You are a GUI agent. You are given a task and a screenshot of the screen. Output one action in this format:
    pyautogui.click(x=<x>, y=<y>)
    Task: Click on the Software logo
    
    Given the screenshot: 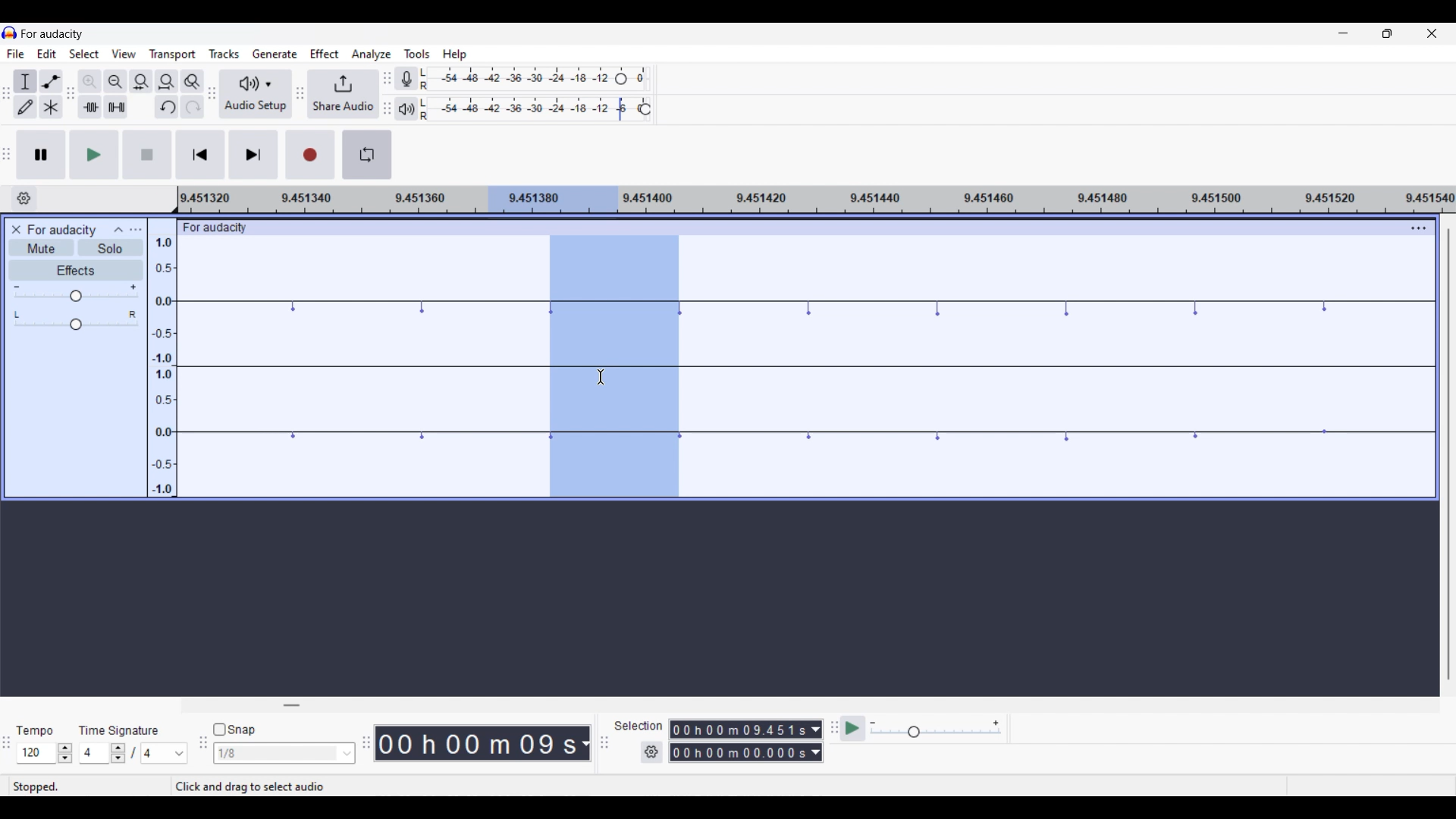 What is the action you would take?
    pyautogui.click(x=10, y=33)
    